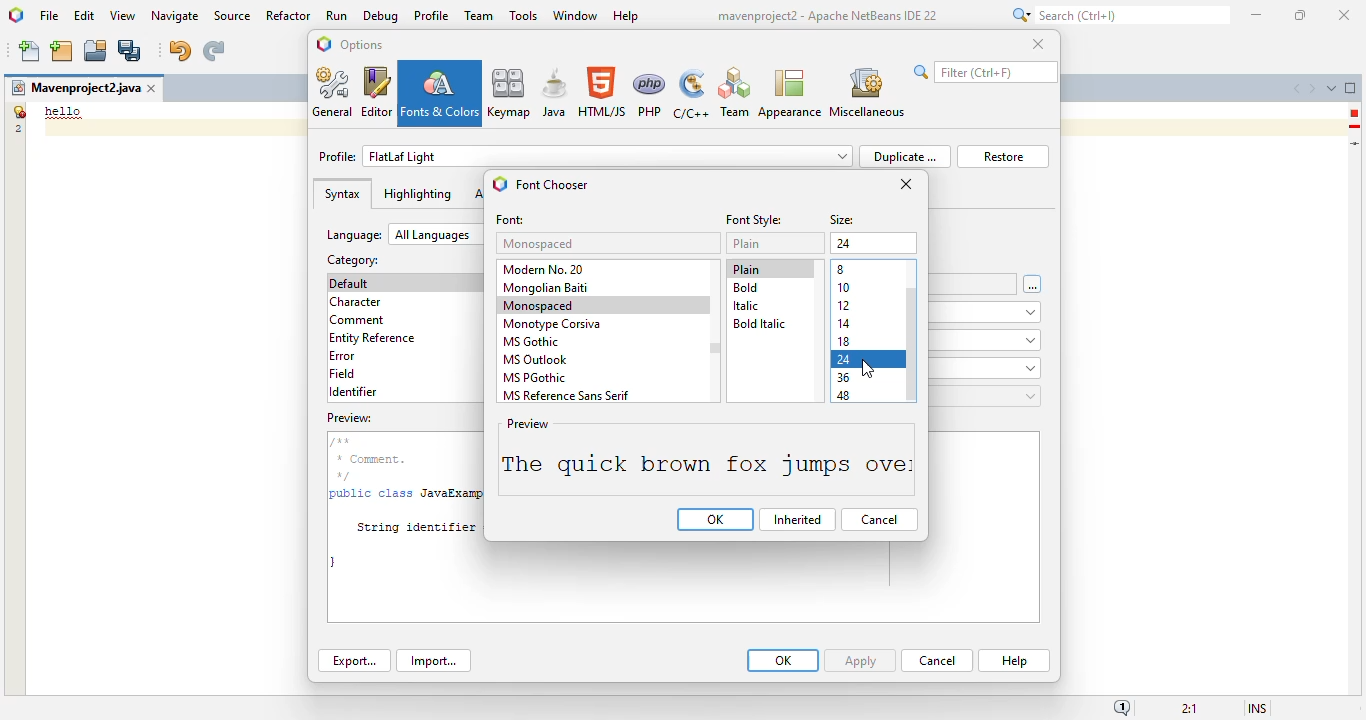 The image size is (1366, 720). Describe the element at coordinates (1118, 15) in the screenshot. I see `search` at that location.